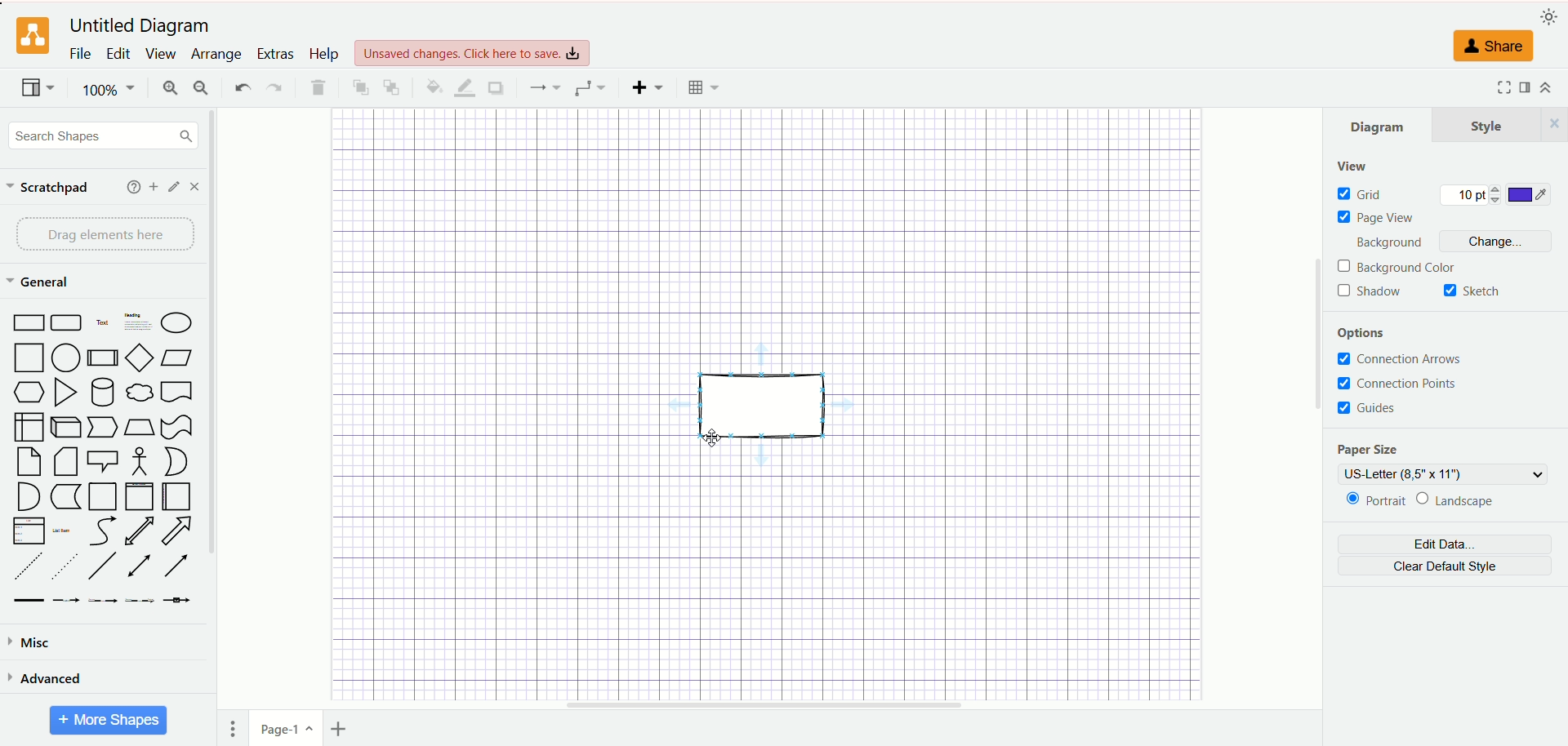 The width and height of the screenshot is (1568, 746). I want to click on arrange, so click(212, 55).